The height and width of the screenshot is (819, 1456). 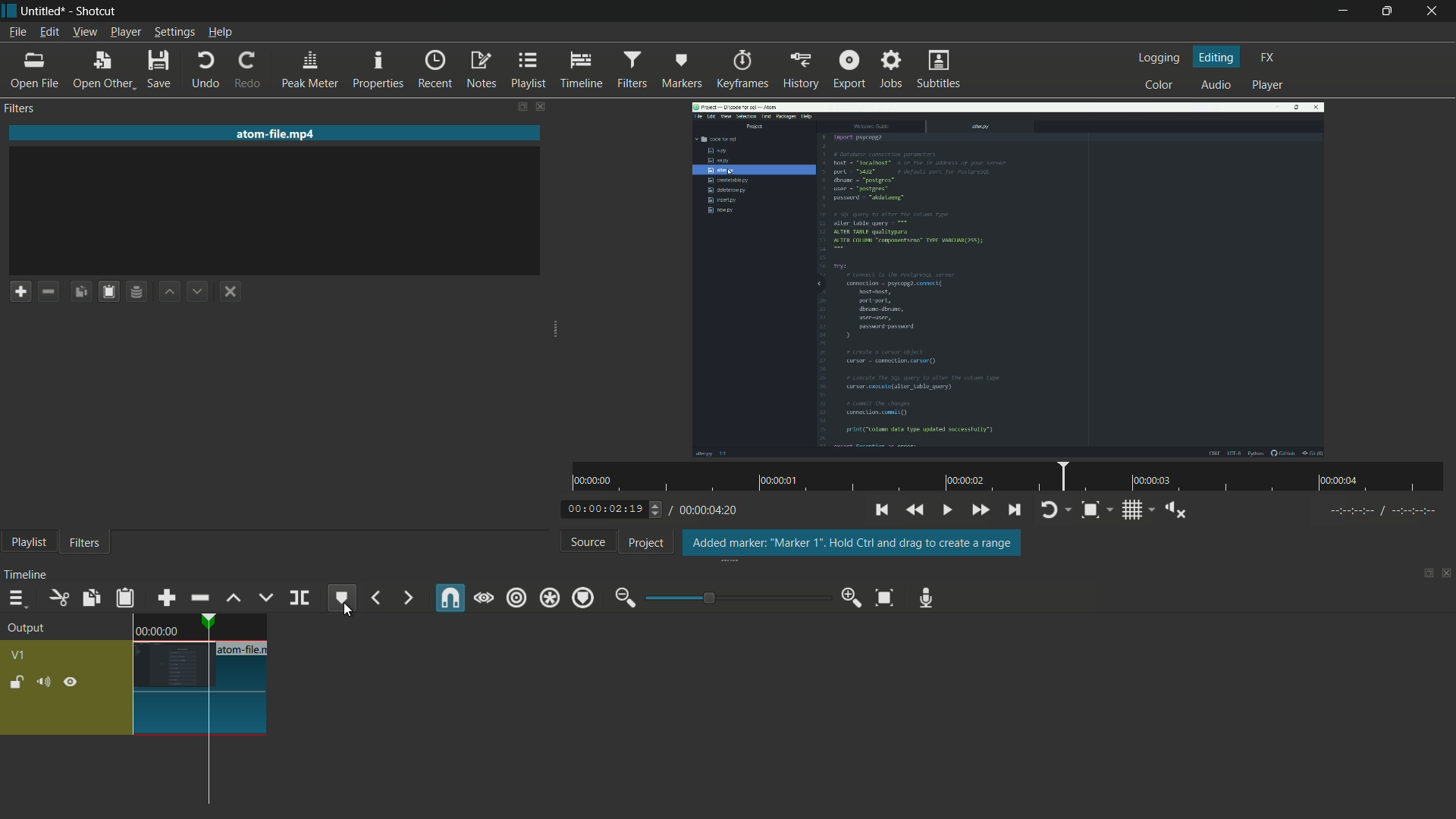 What do you see at coordinates (927, 599) in the screenshot?
I see `record audio` at bounding box center [927, 599].